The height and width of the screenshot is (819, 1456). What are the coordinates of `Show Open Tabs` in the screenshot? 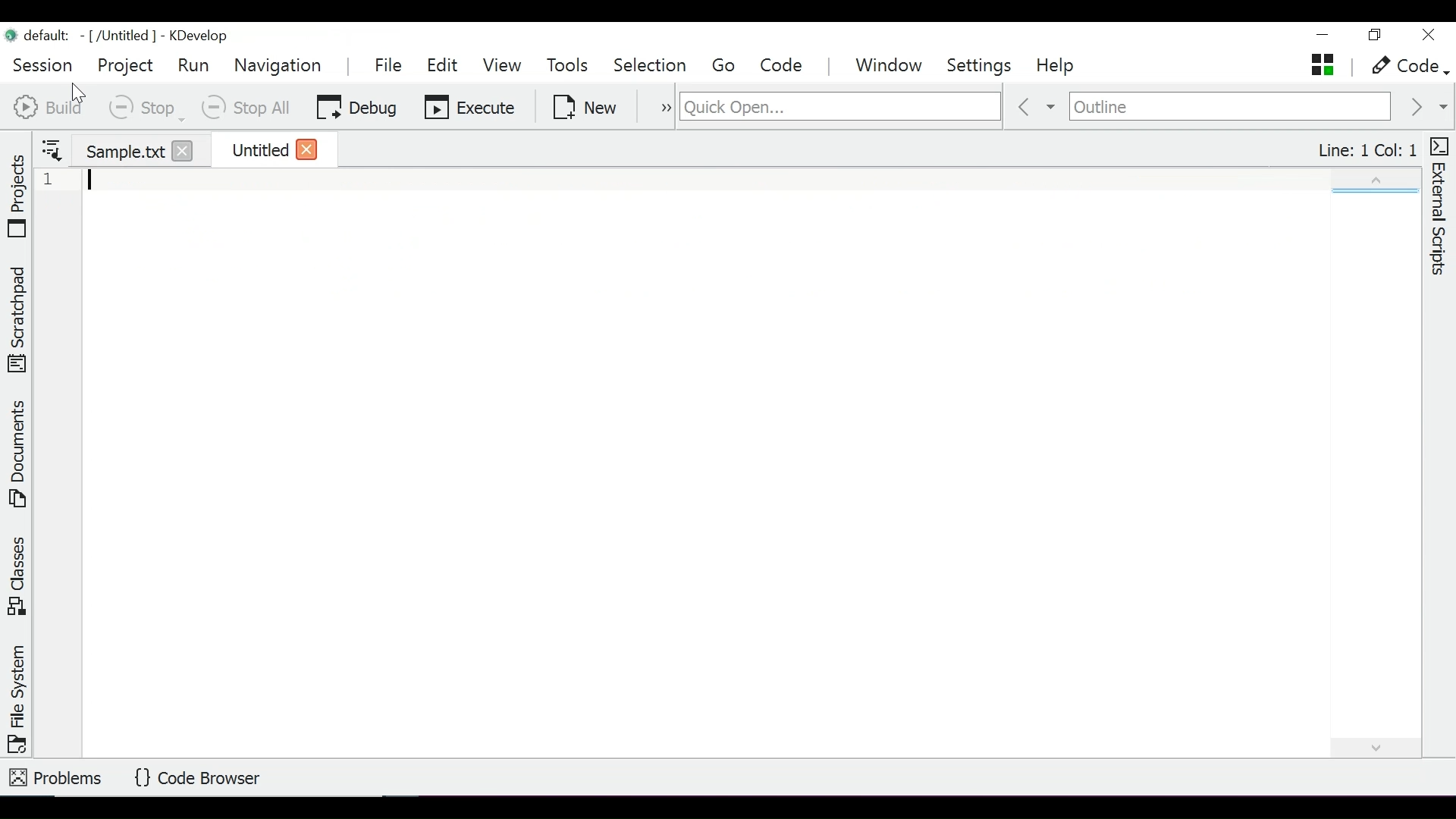 It's located at (1325, 64).